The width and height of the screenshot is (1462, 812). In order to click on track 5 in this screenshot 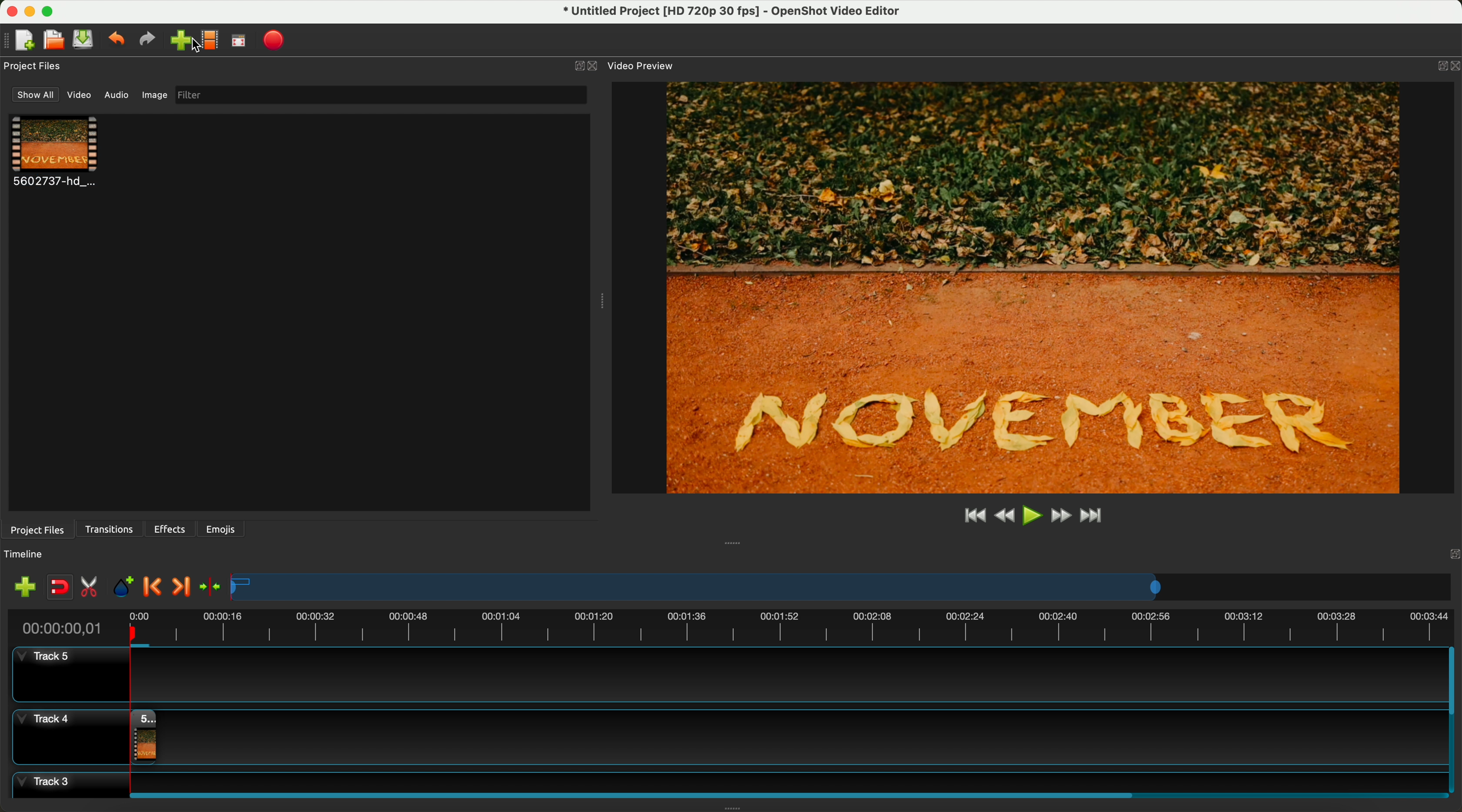, I will do `click(724, 675)`.